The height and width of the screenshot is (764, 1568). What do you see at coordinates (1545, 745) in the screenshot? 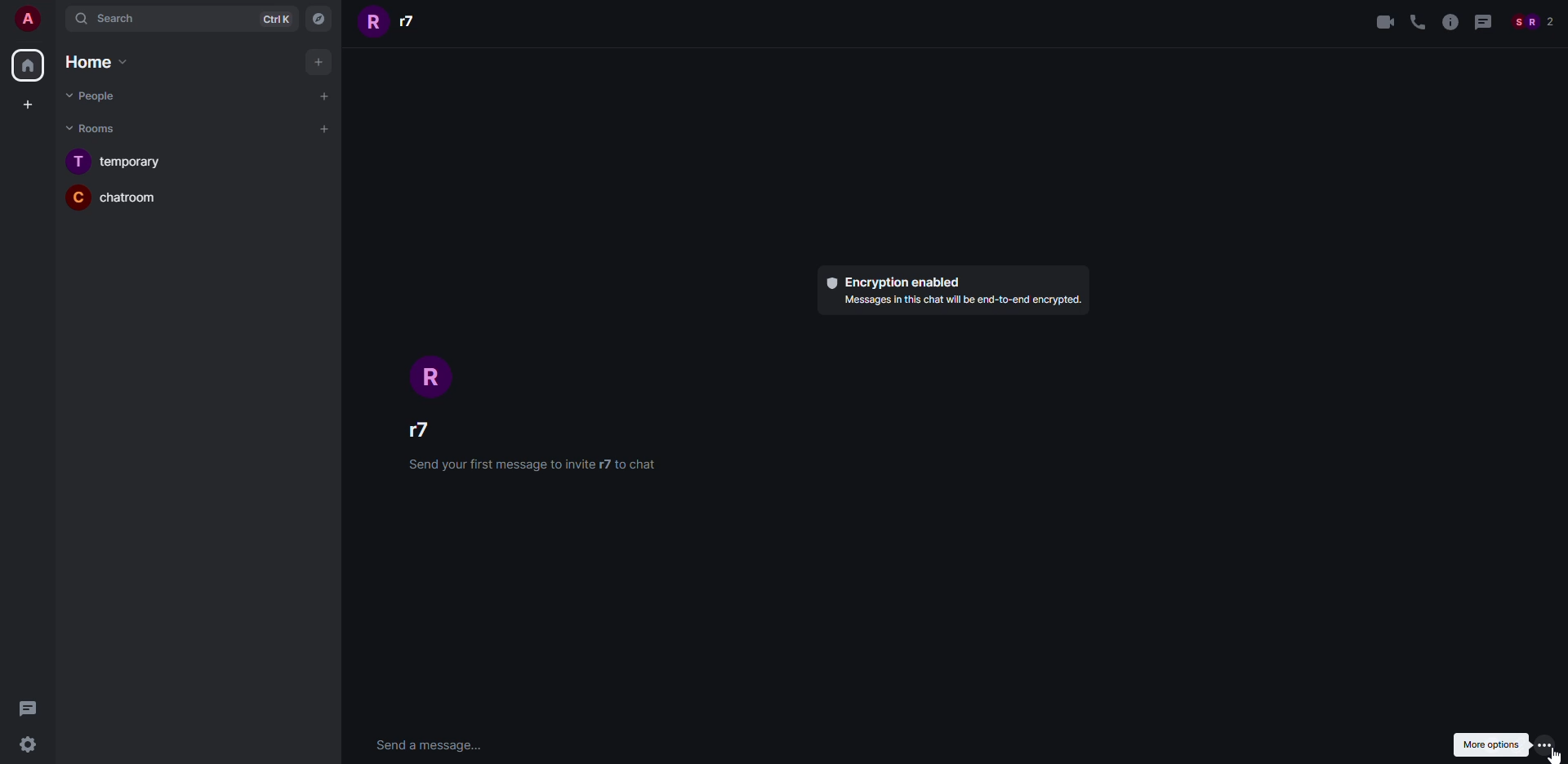
I see `clicking more options` at bounding box center [1545, 745].